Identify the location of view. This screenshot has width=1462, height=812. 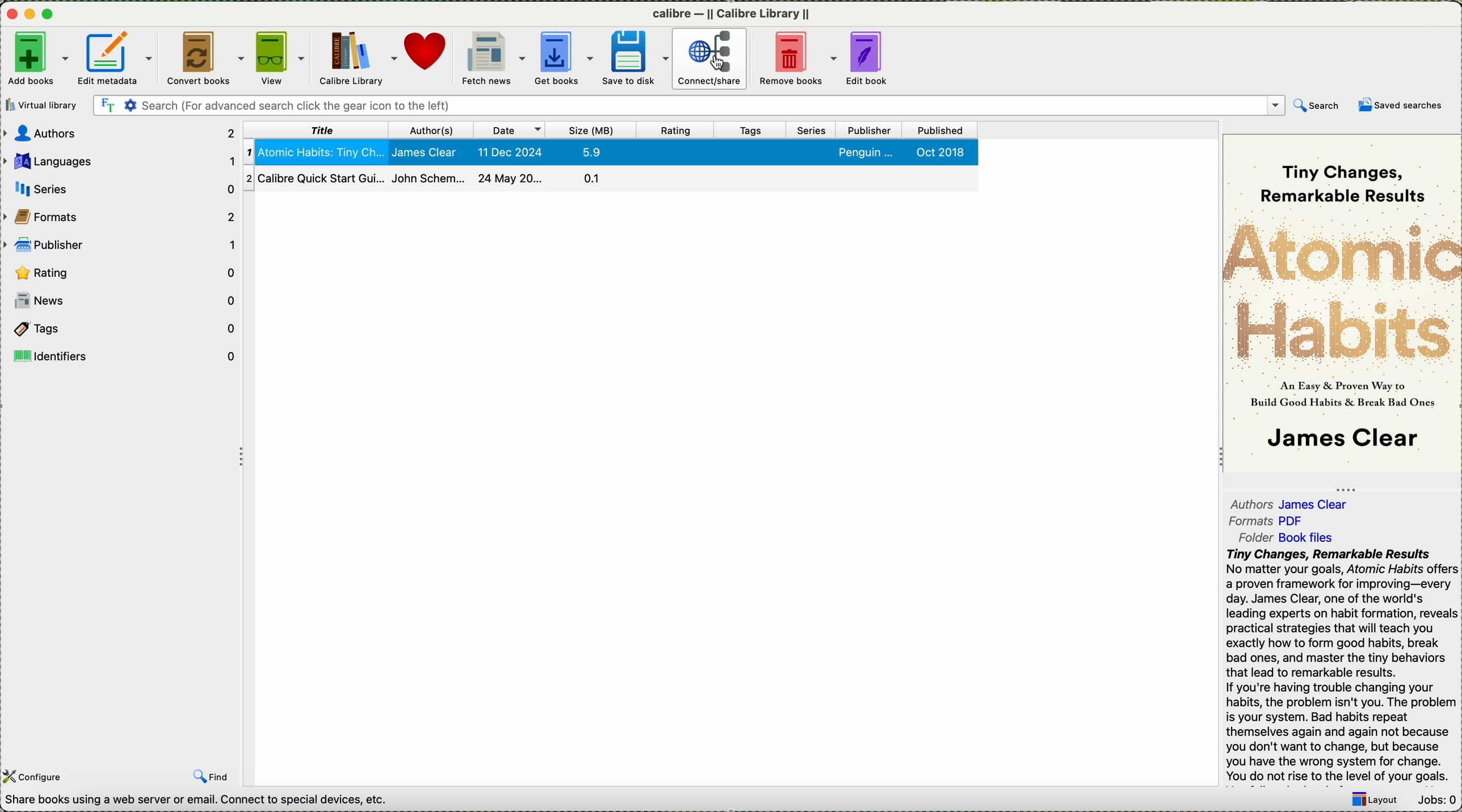
(283, 57).